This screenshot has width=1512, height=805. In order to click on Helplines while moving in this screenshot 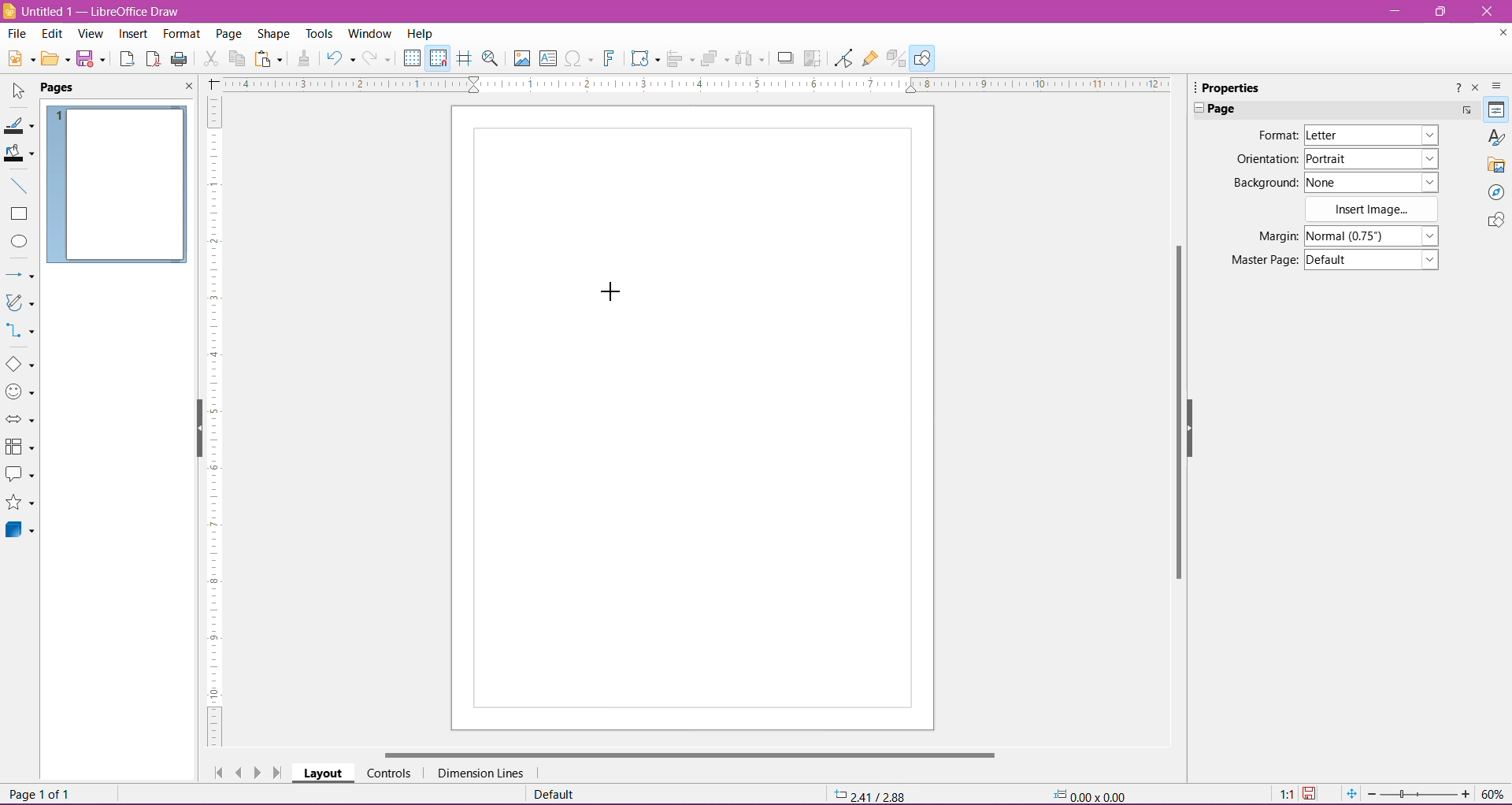, I will do `click(465, 58)`.